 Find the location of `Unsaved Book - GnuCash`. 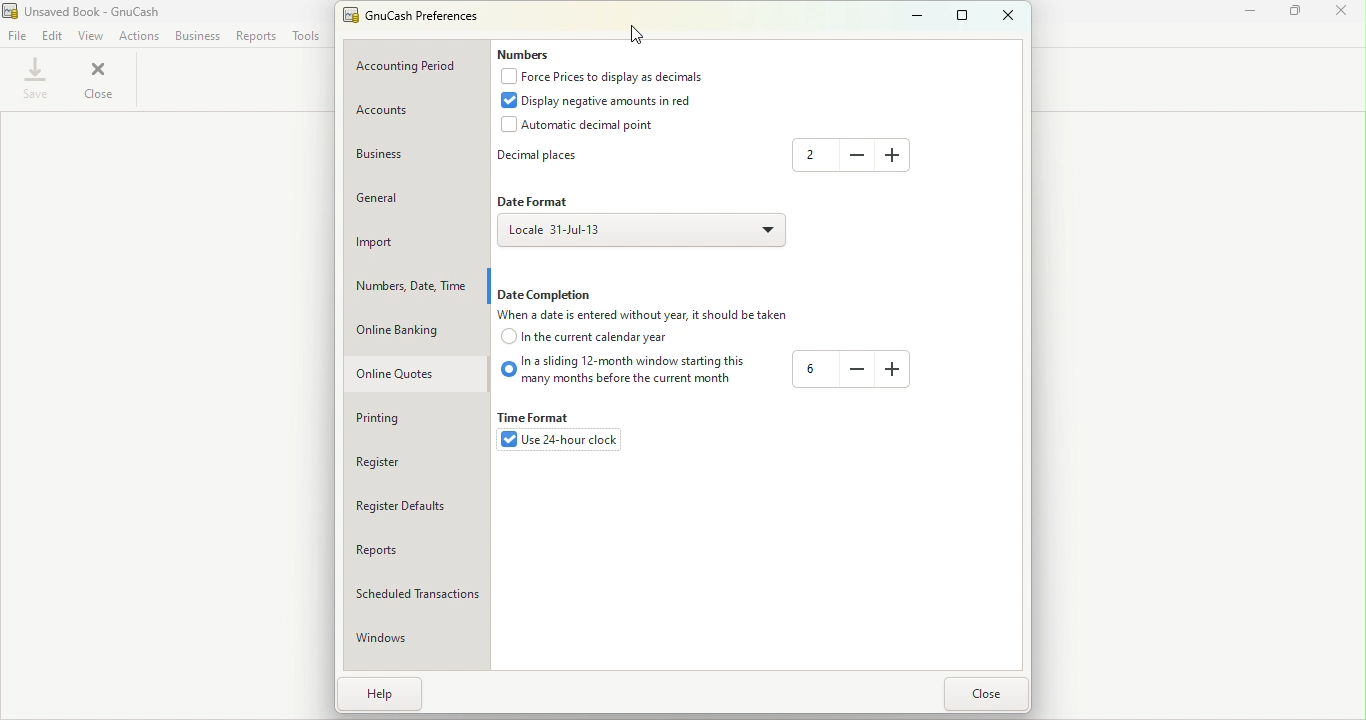

Unsaved Book - GnuCash is located at coordinates (82, 11).